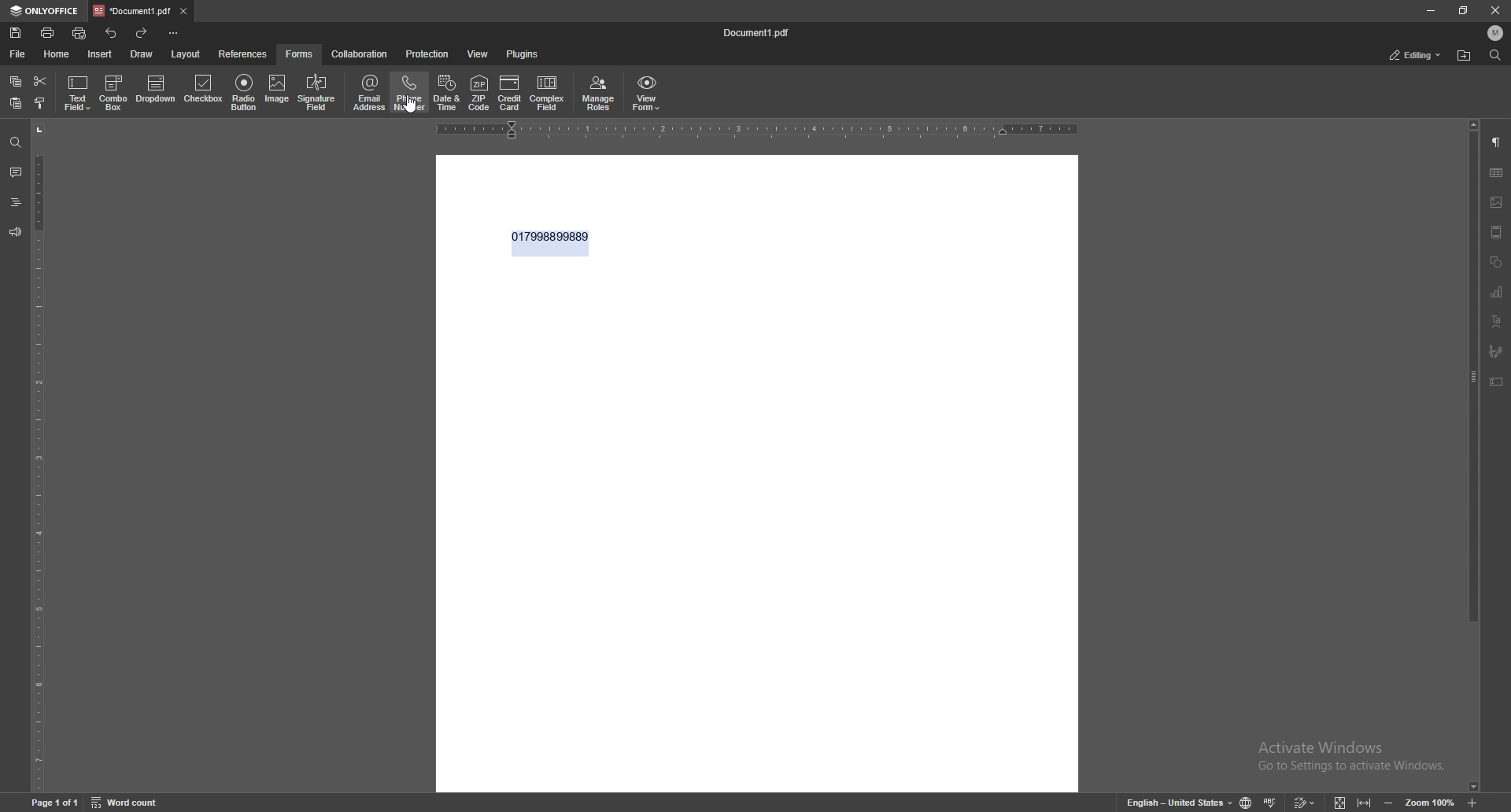 The image size is (1511, 812). I want to click on signature field, so click(317, 94).